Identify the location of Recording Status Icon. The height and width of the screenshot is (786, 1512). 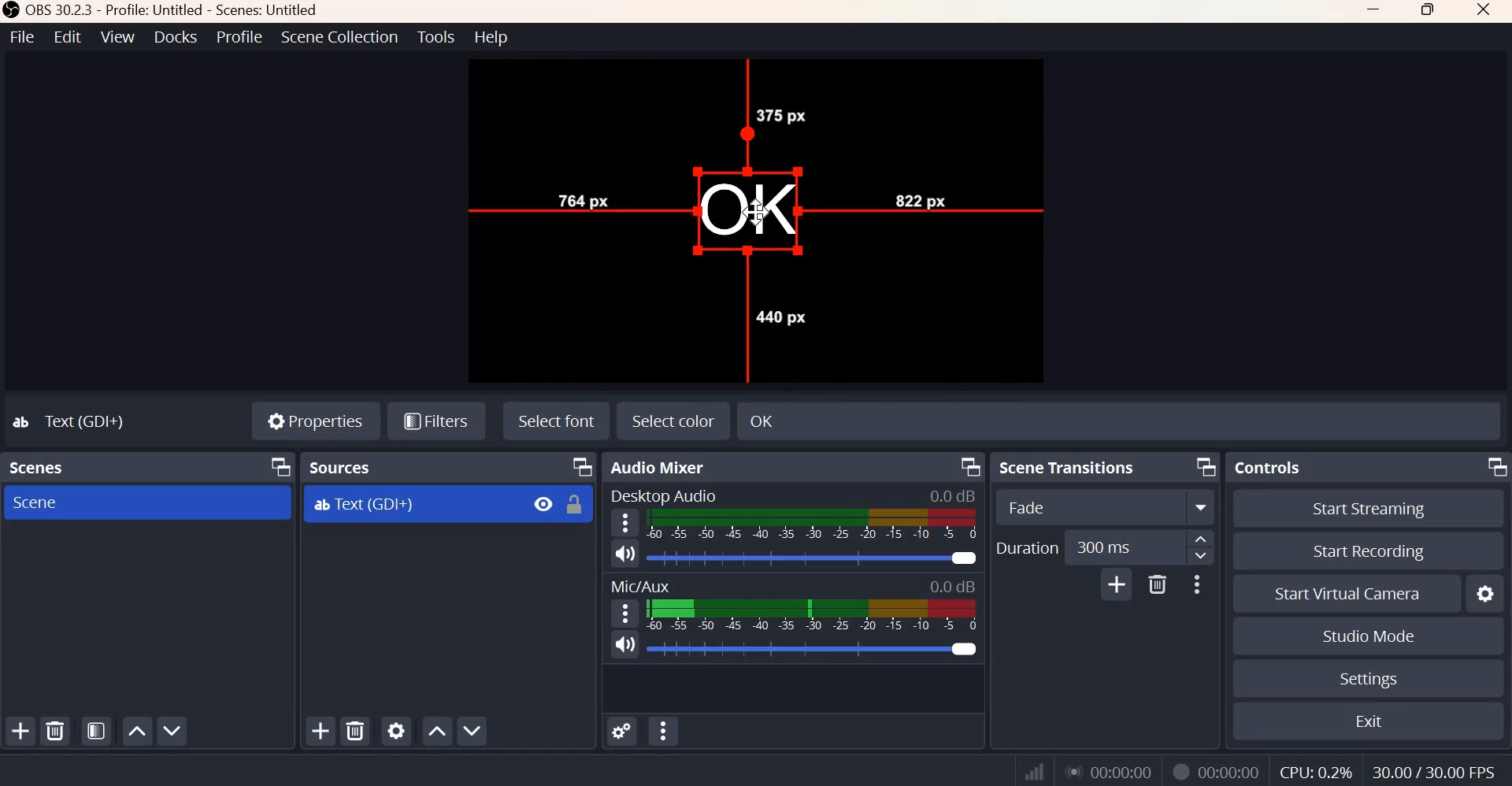
(1180, 773).